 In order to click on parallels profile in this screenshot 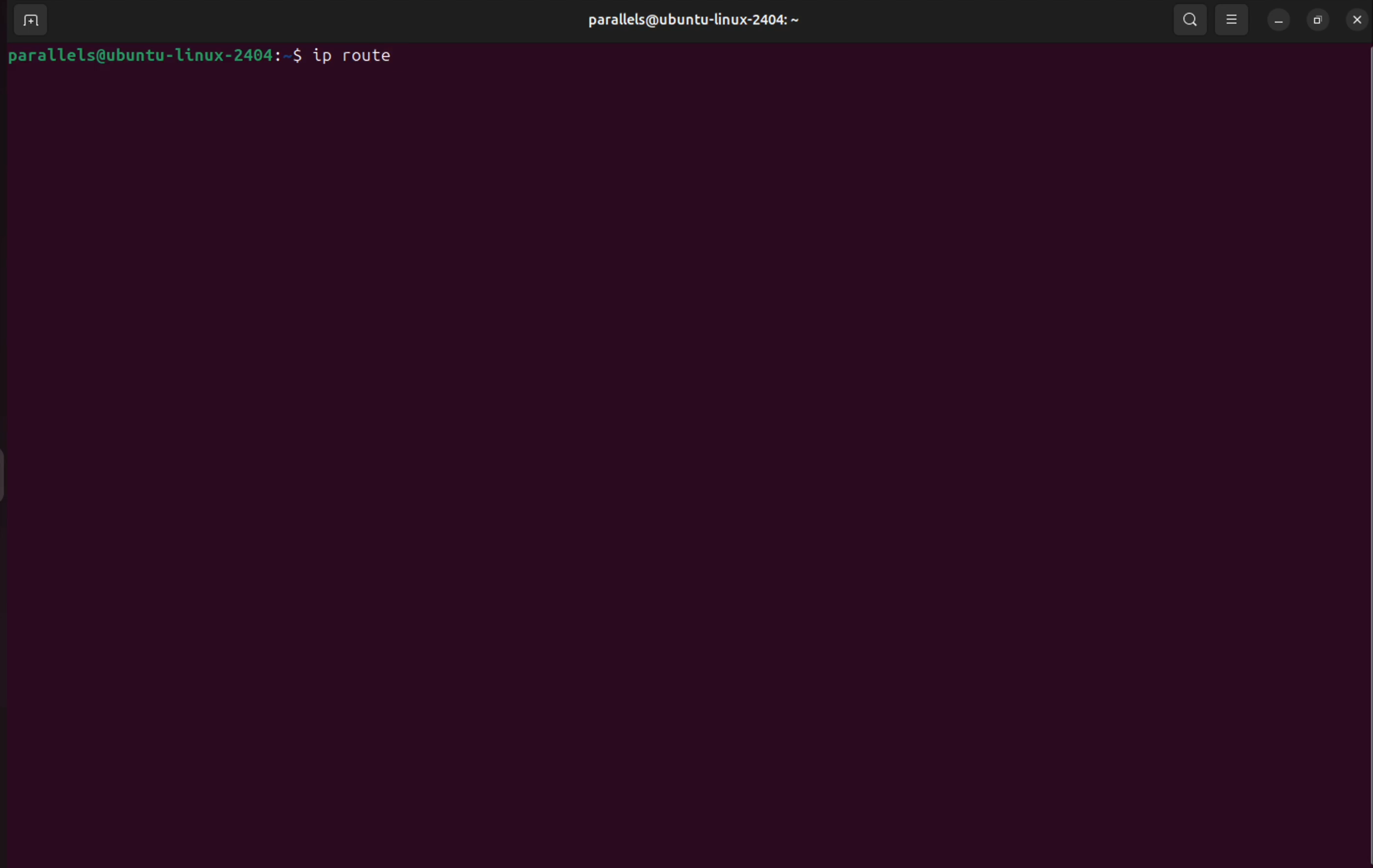, I will do `click(689, 22)`.